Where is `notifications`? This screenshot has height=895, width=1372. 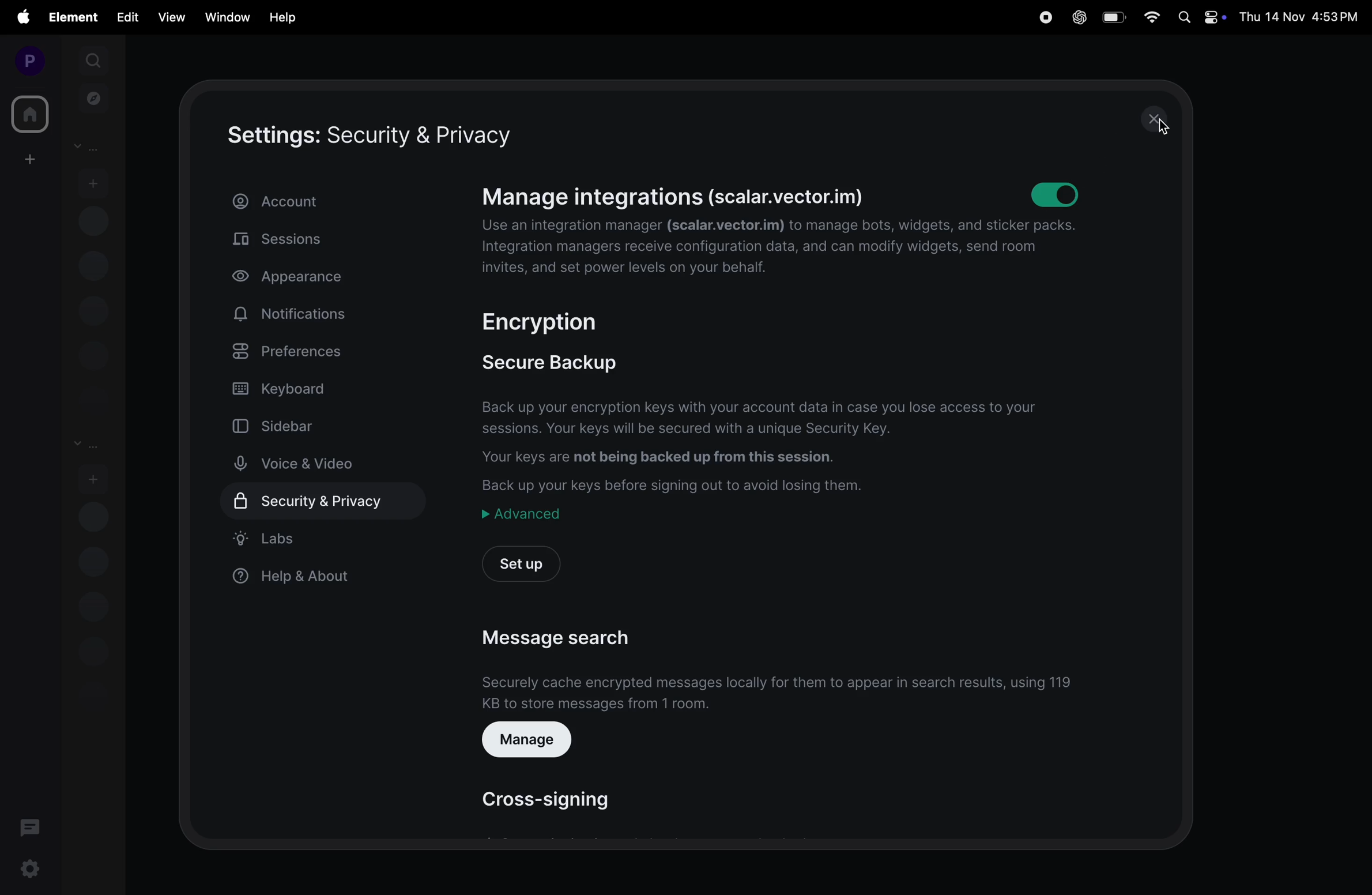
notifications is located at coordinates (287, 314).